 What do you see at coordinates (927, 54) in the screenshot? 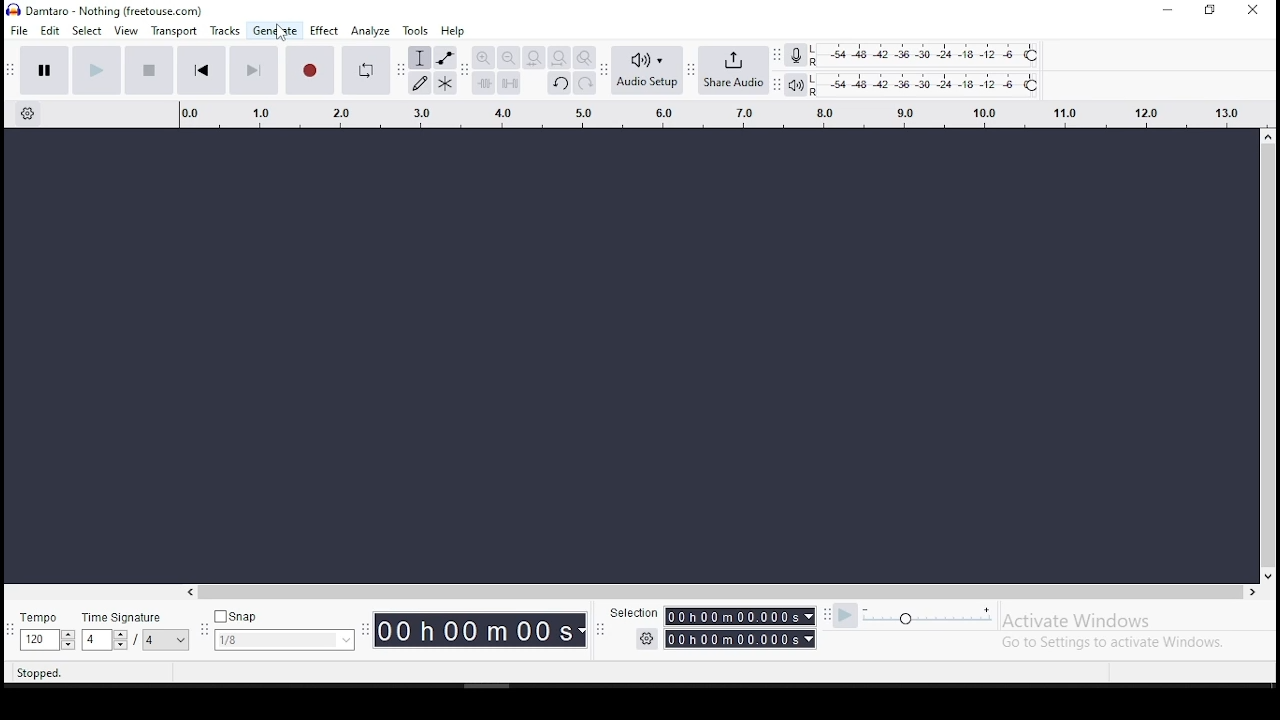
I see `recording level` at bounding box center [927, 54].